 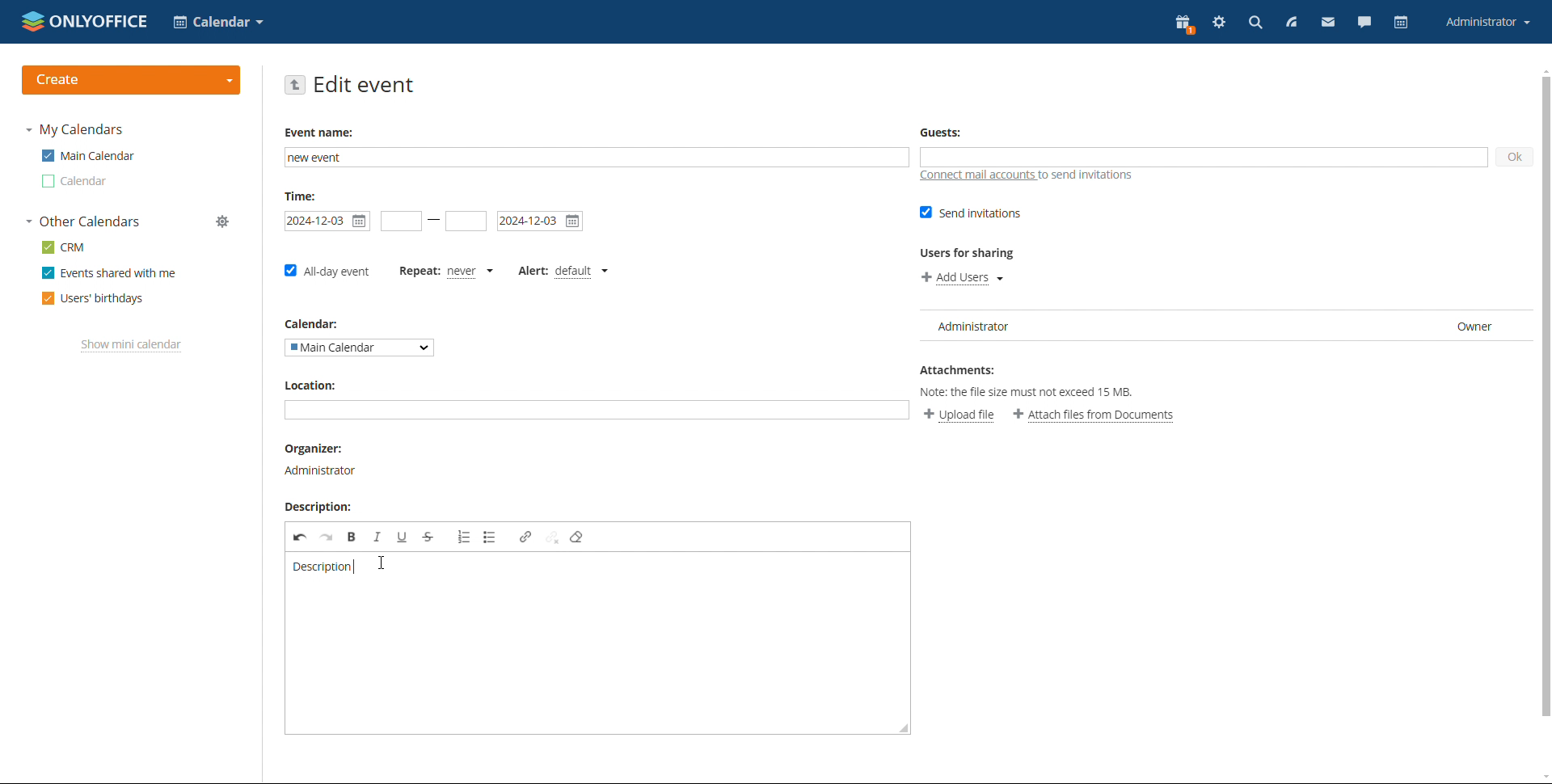 What do you see at coordinates (218, 22) in the screenshot?
I see `select application` at bounding box center [218, 22].